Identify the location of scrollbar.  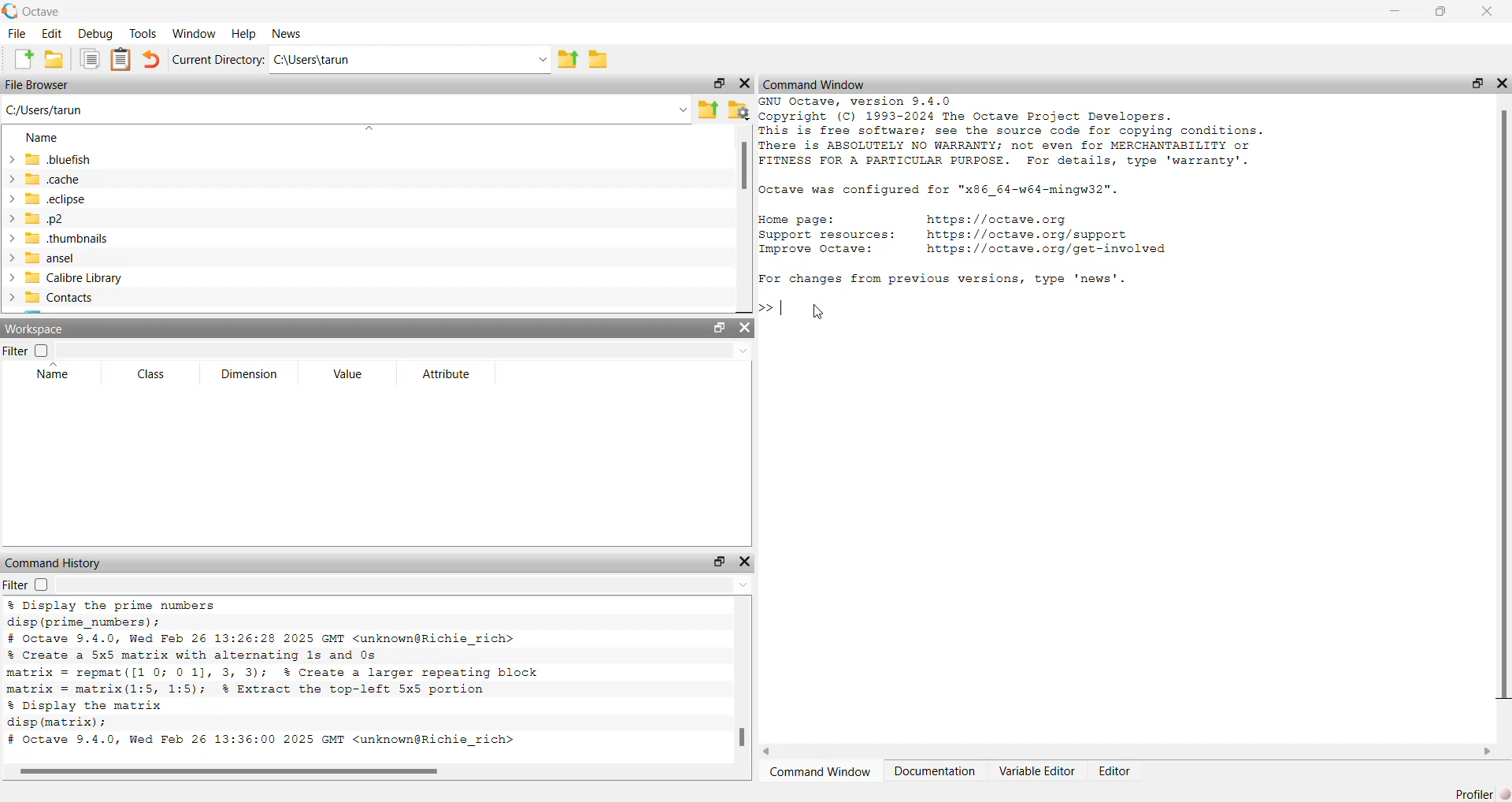
(232, 771).